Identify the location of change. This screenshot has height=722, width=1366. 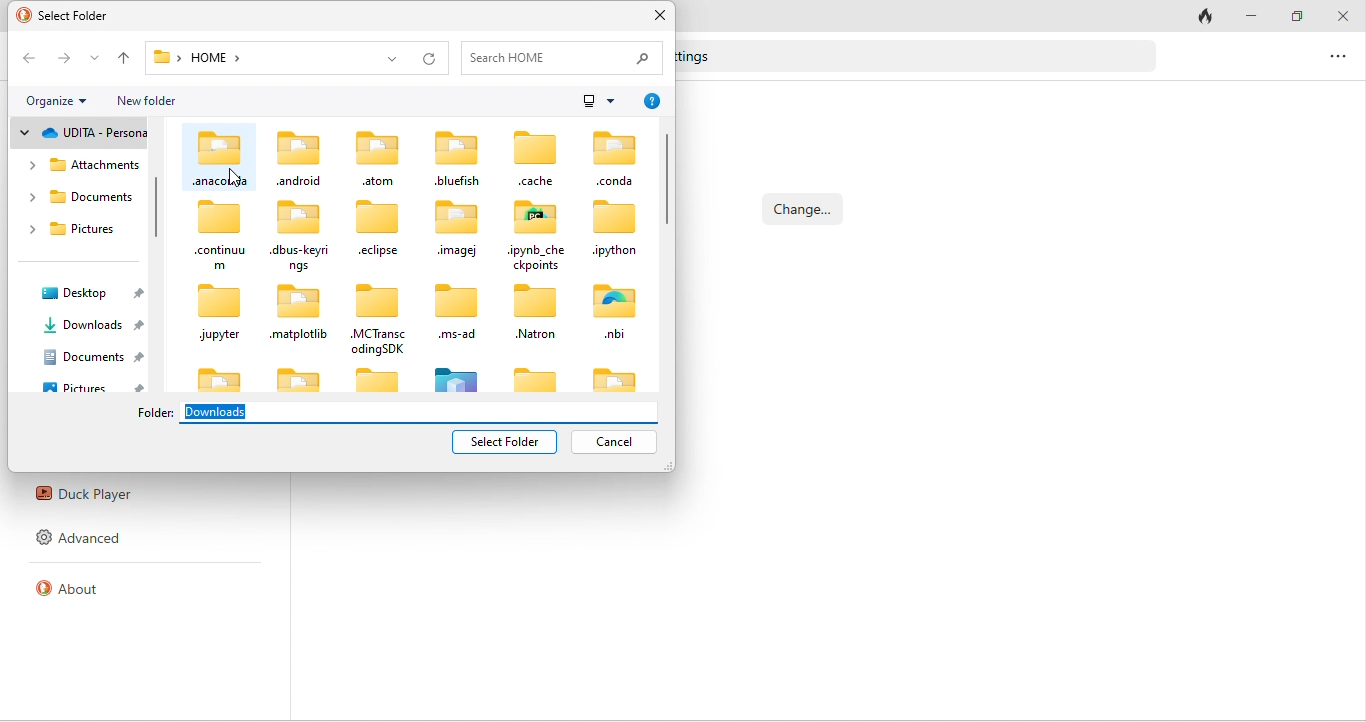
(805, 209).